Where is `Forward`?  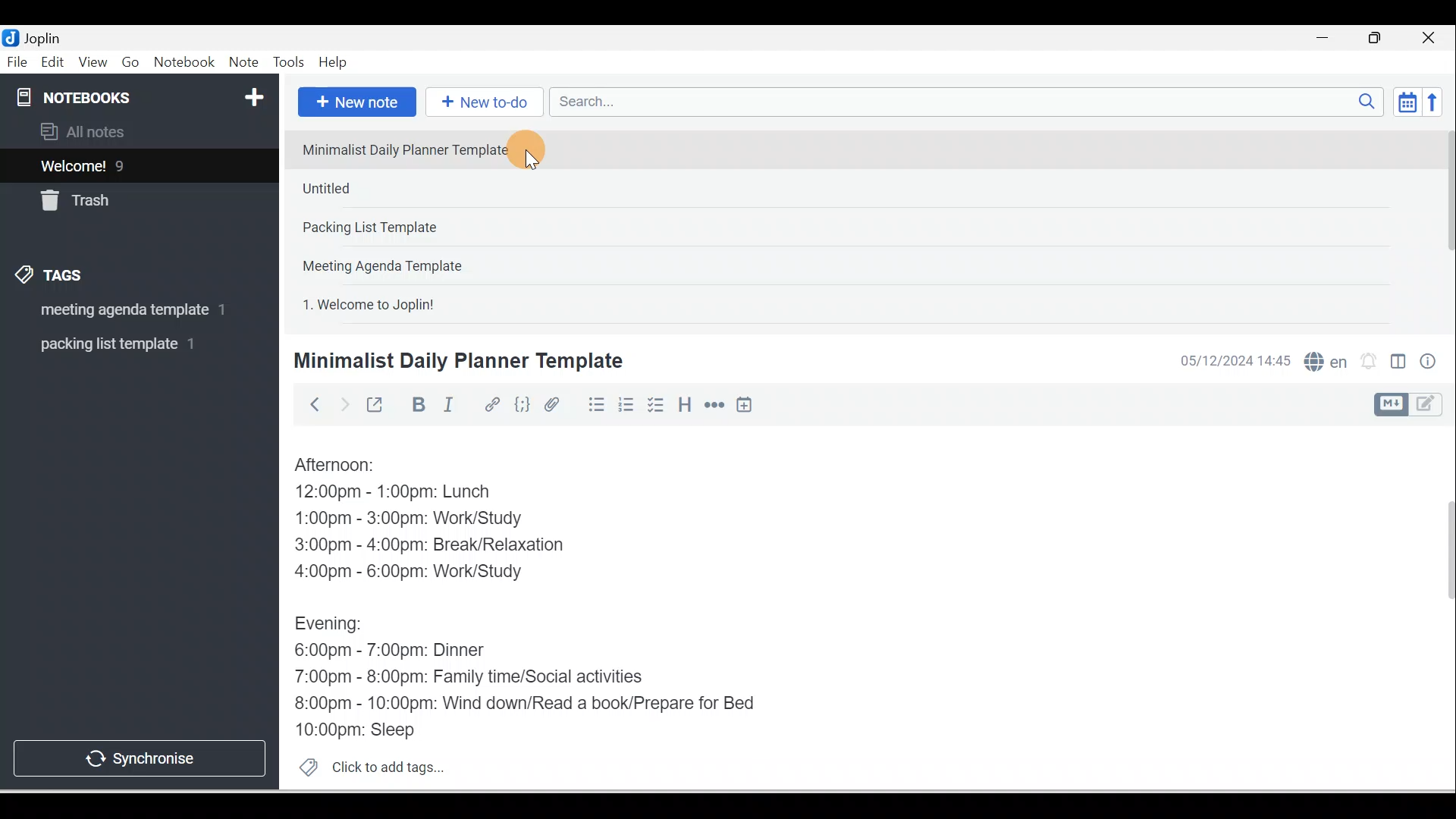
Forward is located at coordinates (343, 403).